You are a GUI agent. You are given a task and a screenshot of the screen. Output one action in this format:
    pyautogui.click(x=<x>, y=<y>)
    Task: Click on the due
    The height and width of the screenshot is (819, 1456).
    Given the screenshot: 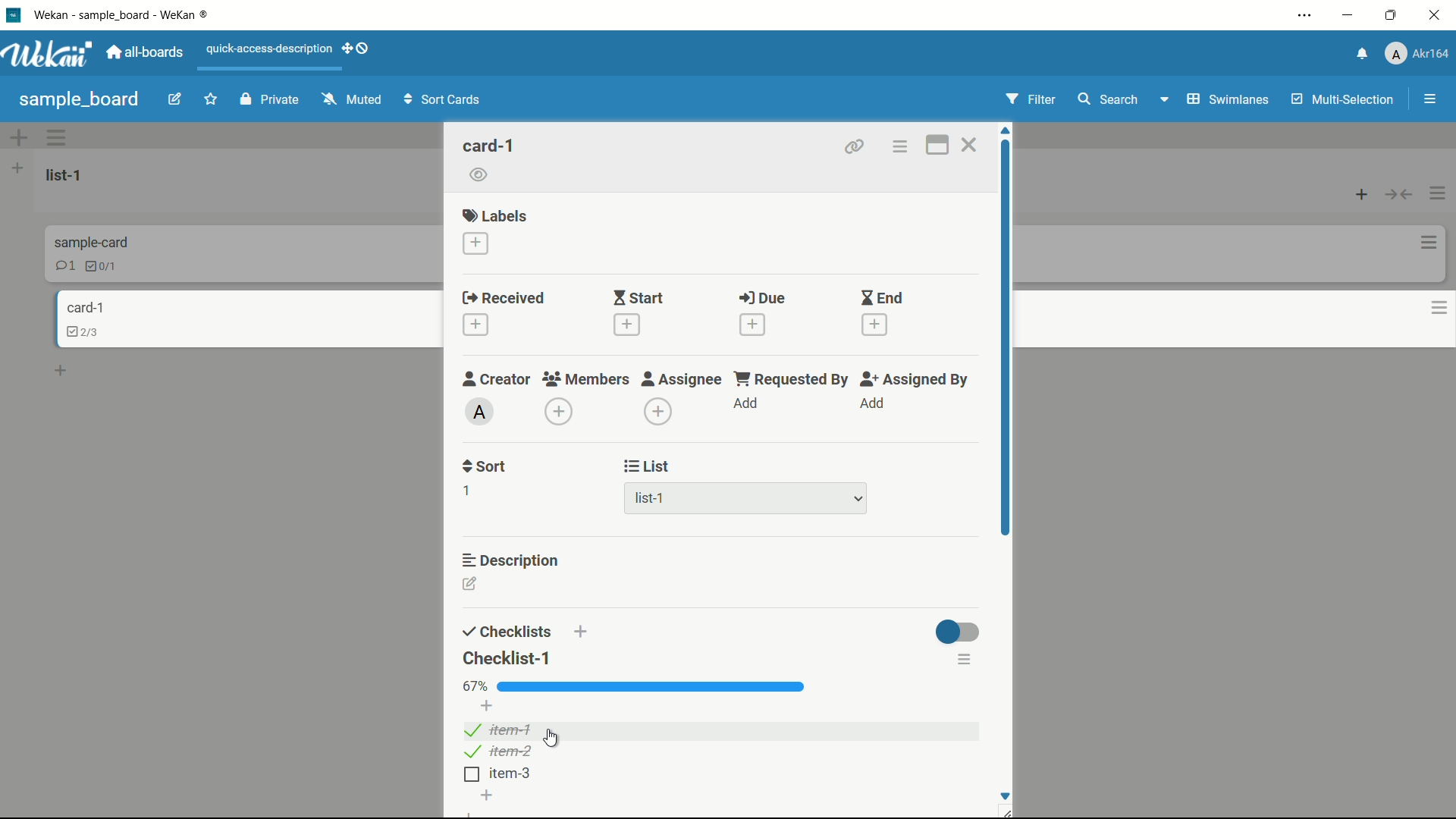 What is the action you would take?
    pyautogui.click(x=767, y=299)
    